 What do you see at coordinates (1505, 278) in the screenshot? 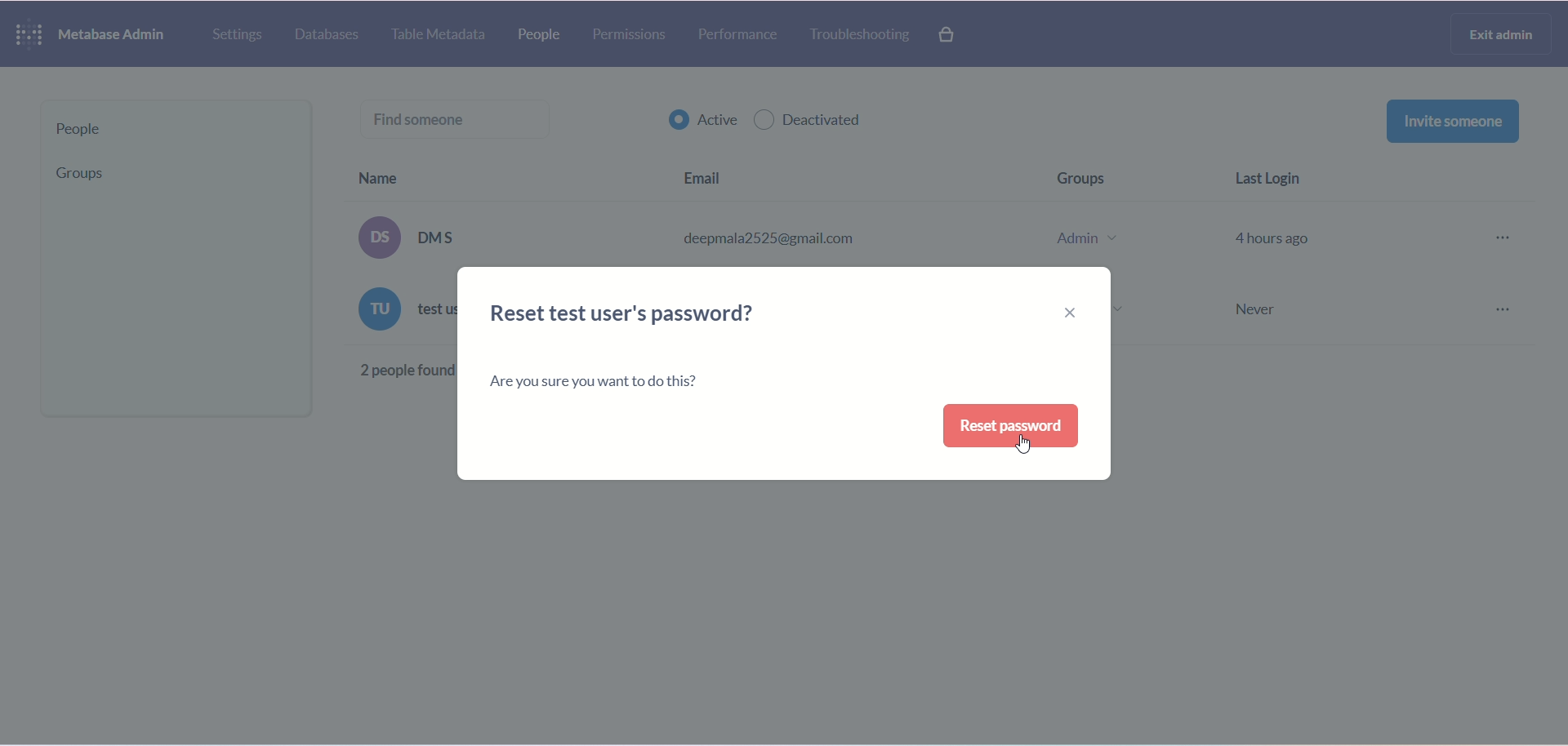
I see `more` at bounding box center [1505, 278].